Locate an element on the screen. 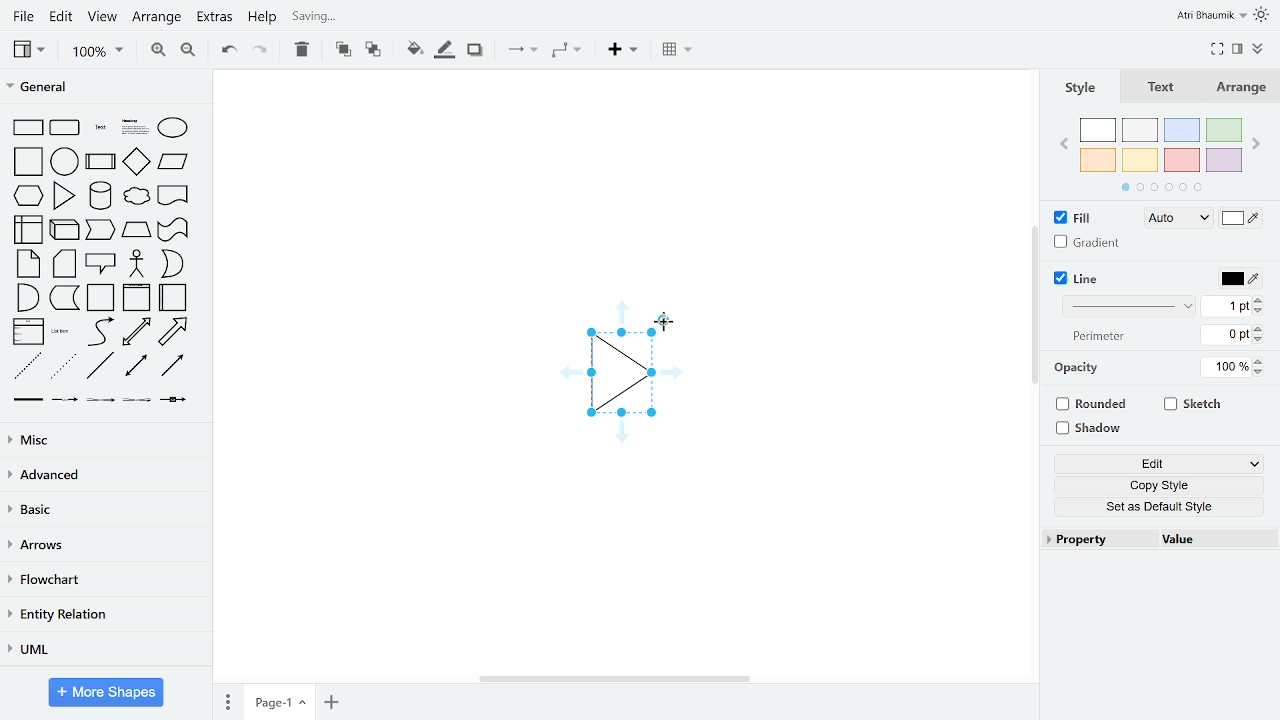  previous  is located at coordinates (1061, 147).